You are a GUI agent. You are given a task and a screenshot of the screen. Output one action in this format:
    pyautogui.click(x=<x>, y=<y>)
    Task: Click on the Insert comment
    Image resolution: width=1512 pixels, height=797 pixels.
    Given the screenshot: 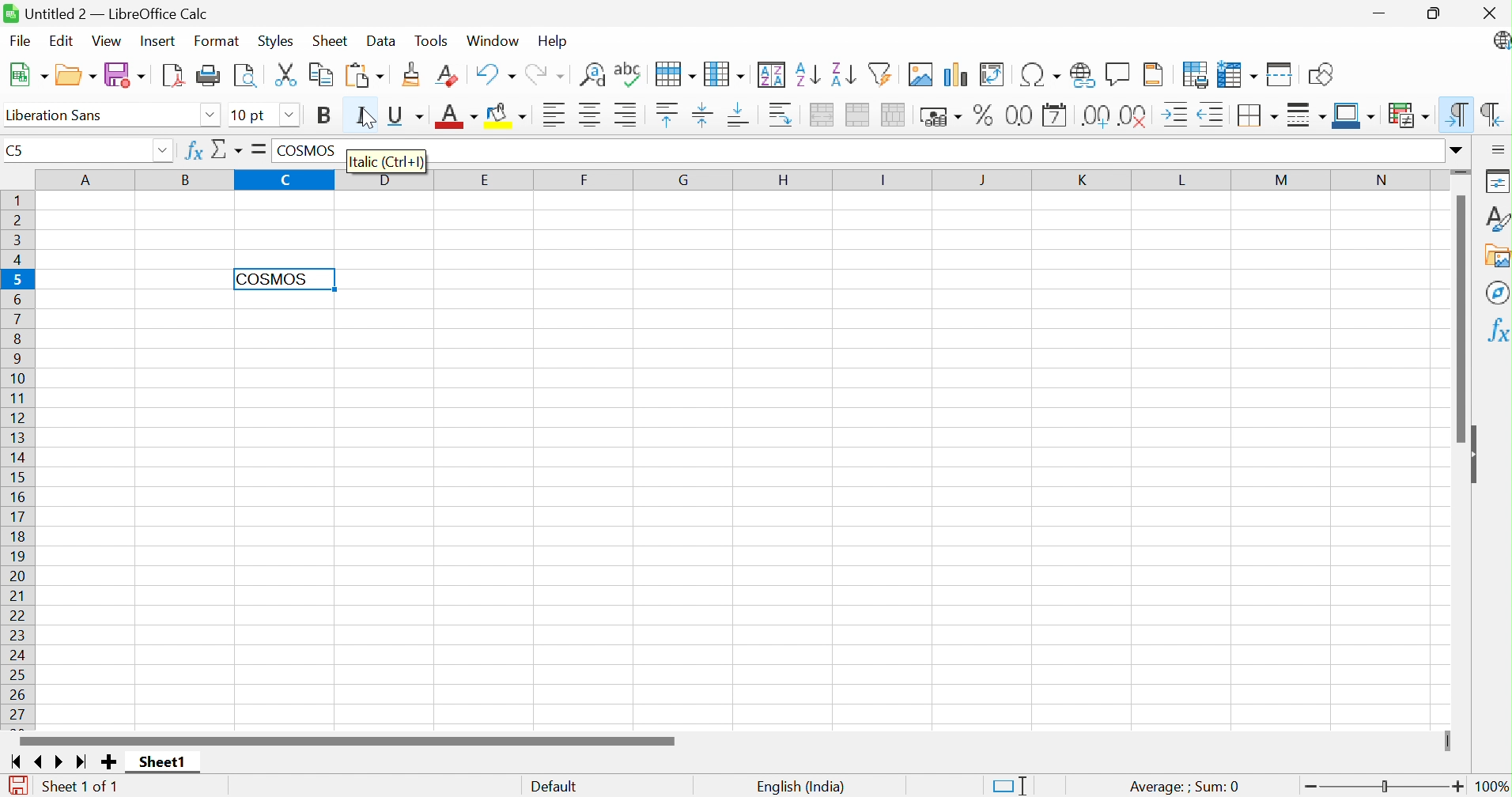 What is the action you would take?
    pyautogui.click(x=1116, y=74)
    